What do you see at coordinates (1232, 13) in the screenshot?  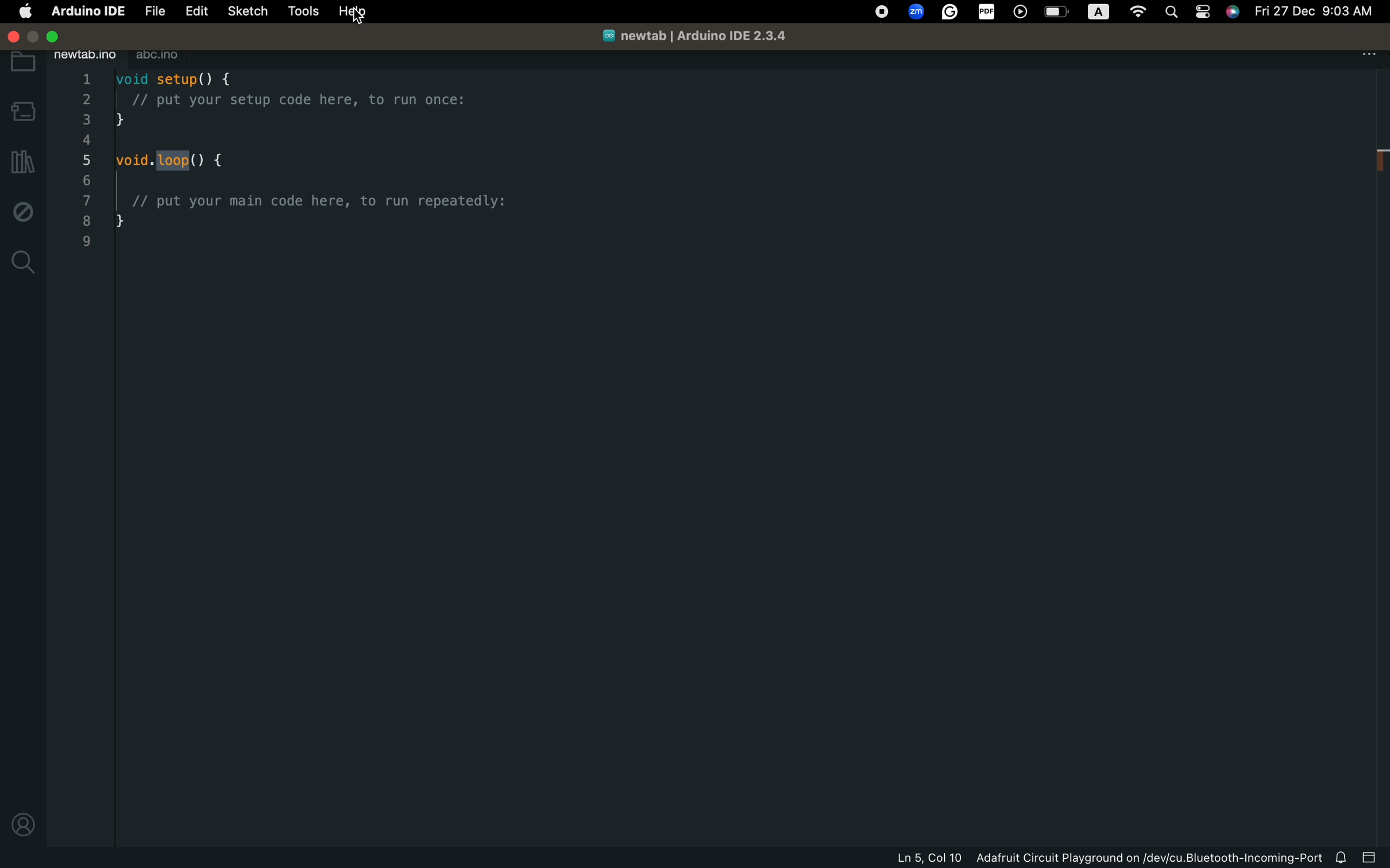 I see `Siri` at bounding box center [1232, 13].